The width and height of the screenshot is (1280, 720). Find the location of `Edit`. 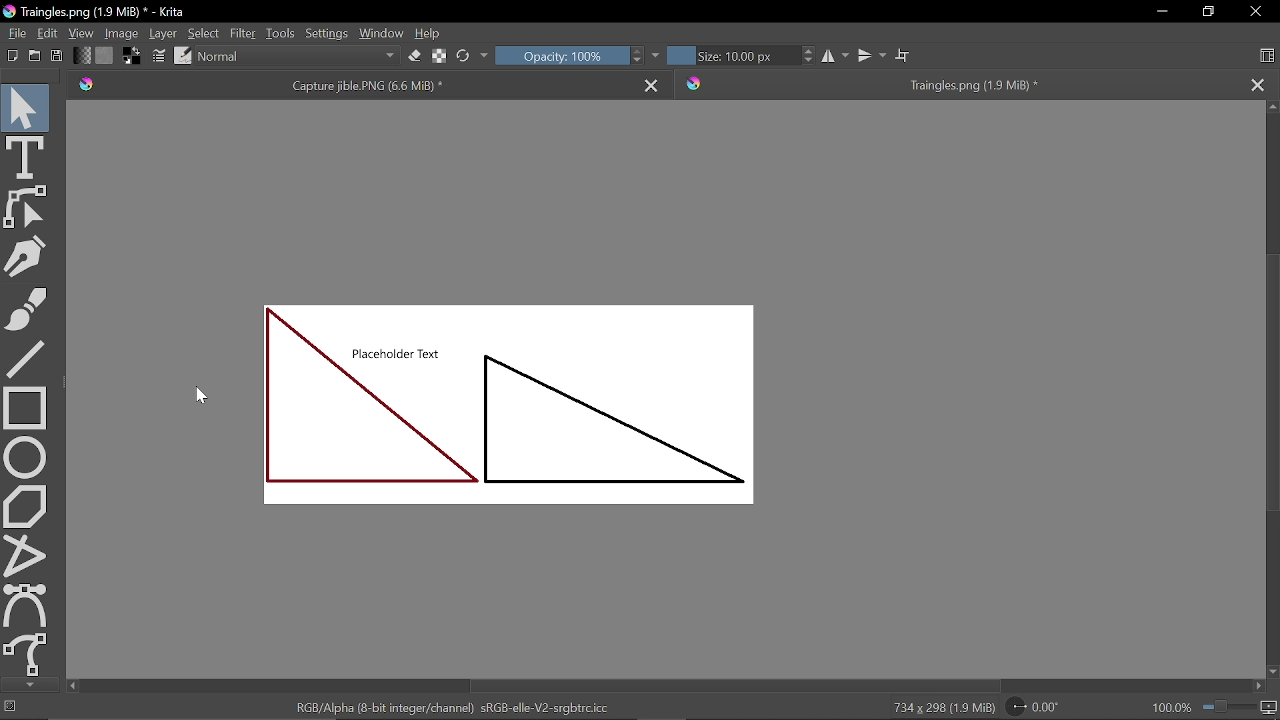

Edit is located at coordinates (48, 32).